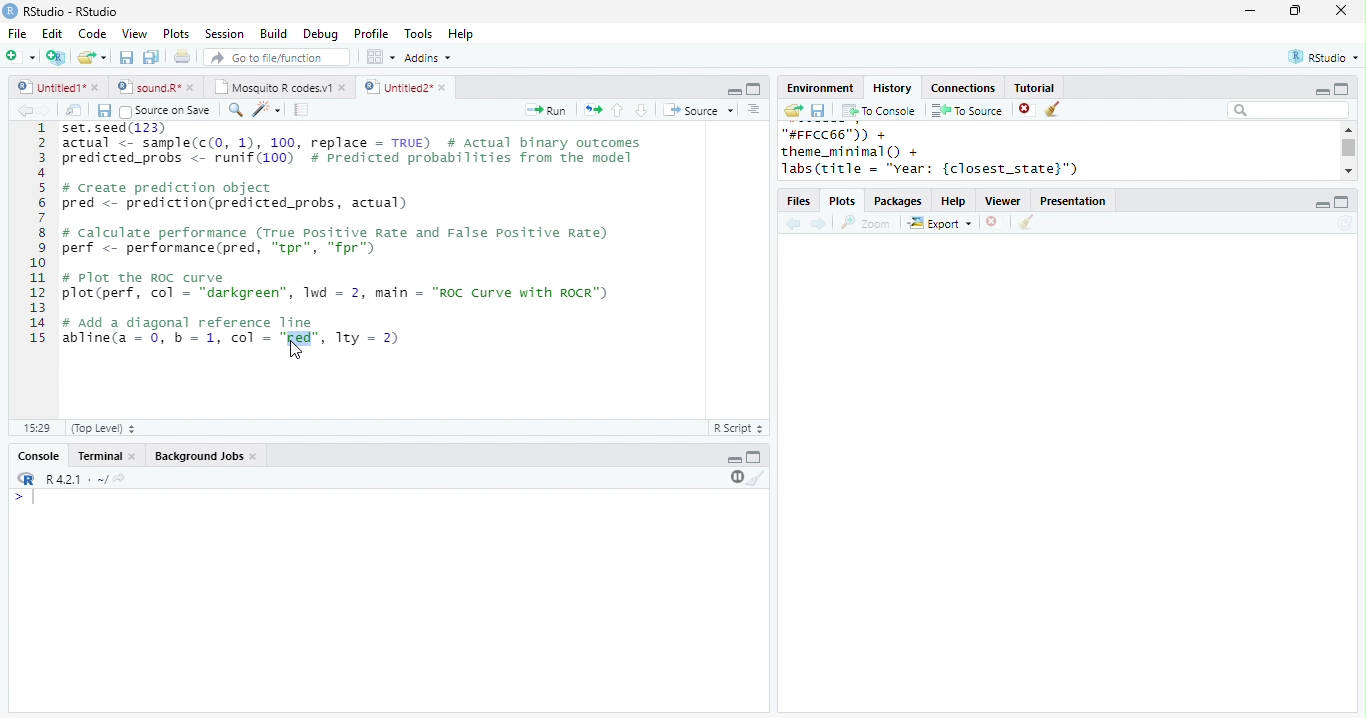  I want to click on minimize, so click(734, 460).